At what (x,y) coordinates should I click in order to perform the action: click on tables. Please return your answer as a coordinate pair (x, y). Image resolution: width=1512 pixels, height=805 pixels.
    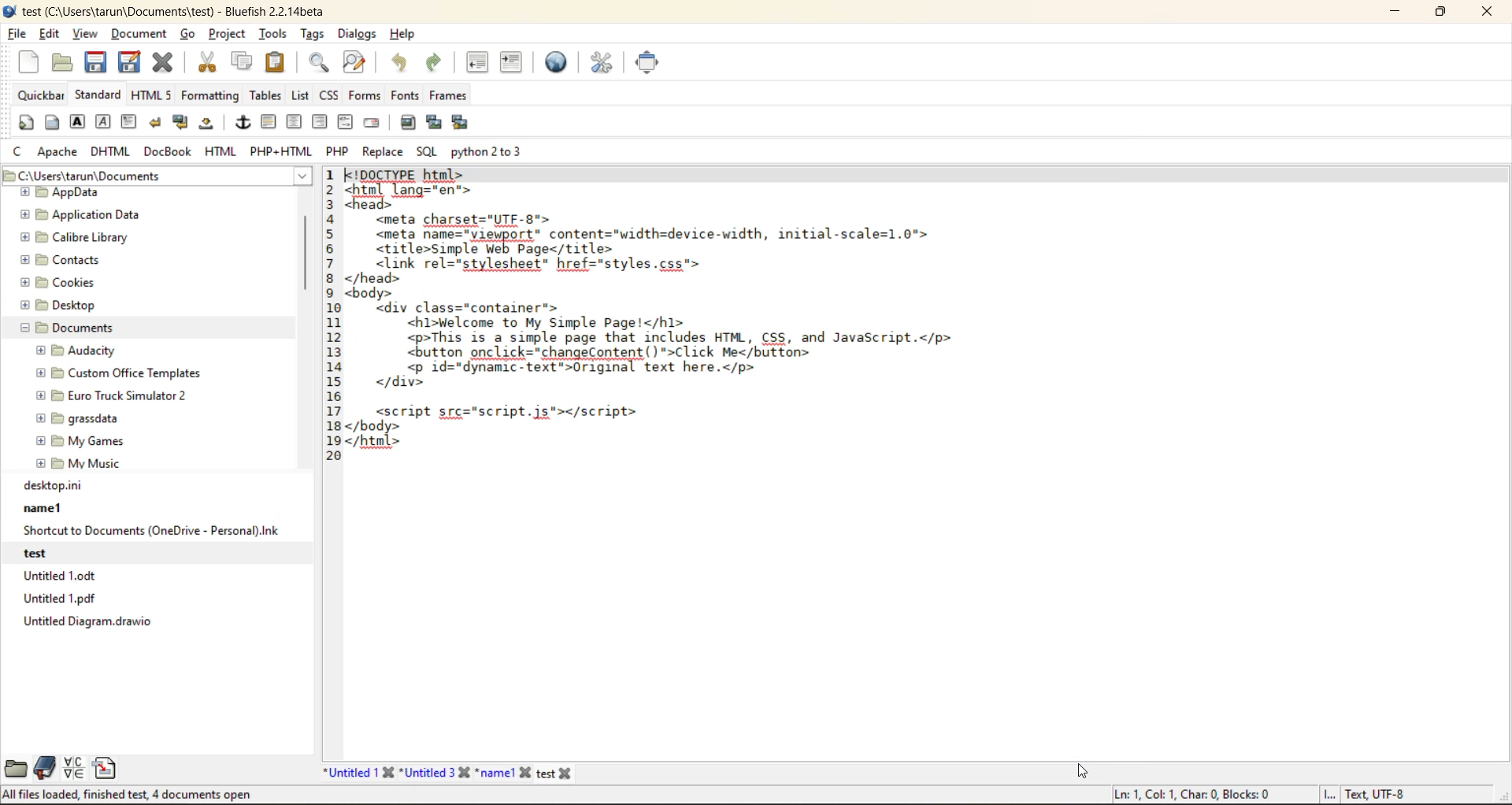
    Looking at the image, I should click on (264, 95).